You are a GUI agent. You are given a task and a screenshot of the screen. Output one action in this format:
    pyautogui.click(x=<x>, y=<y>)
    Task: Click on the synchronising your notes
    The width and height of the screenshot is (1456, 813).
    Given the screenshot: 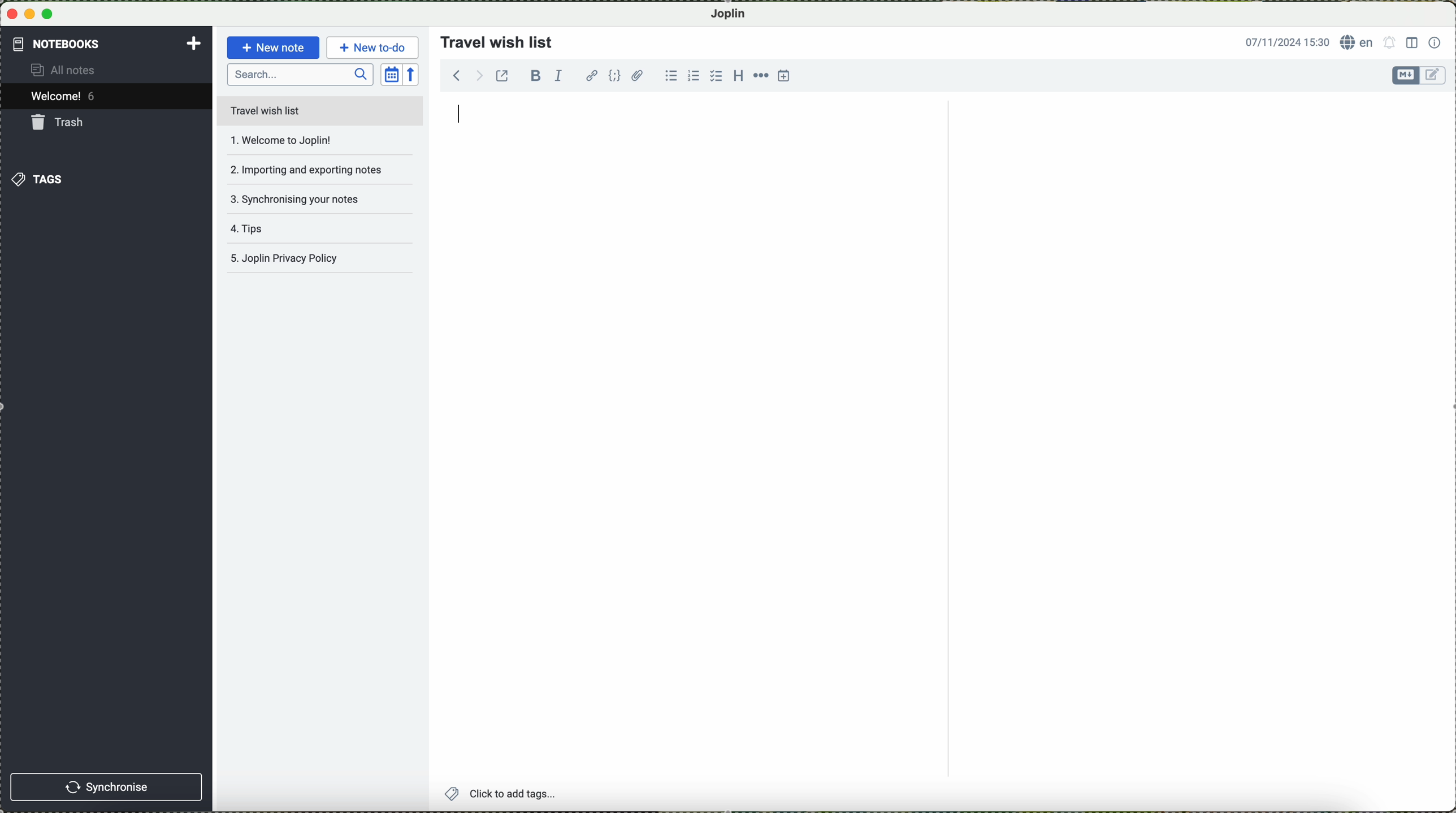 What is the action you would take?
    pyautogui.click(x=304, y=198)
    